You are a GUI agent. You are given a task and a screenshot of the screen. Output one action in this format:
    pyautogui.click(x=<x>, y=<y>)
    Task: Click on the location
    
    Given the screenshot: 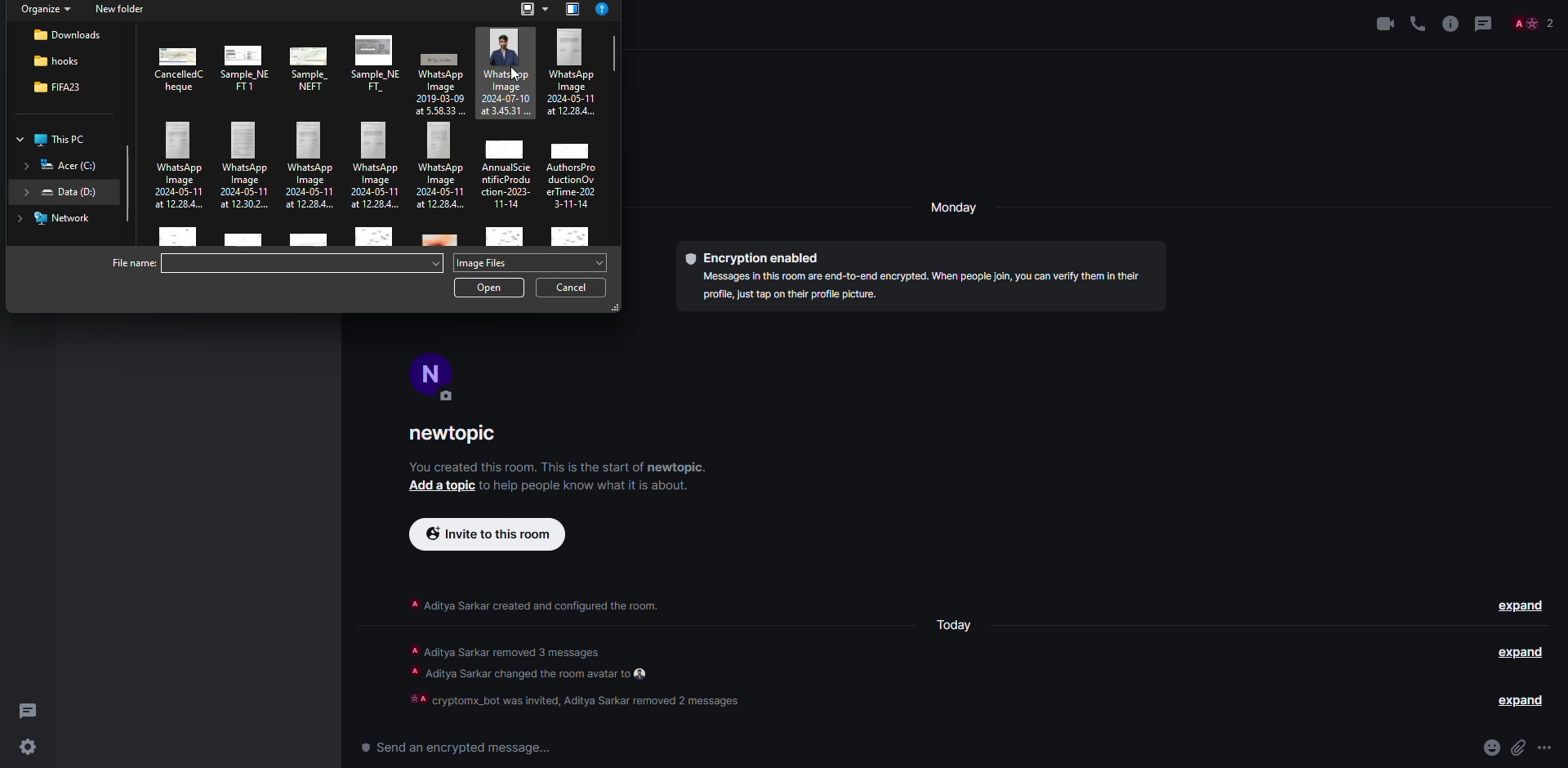 What is the action you would take?
    pyautogui.click(x=57, y=139)
    